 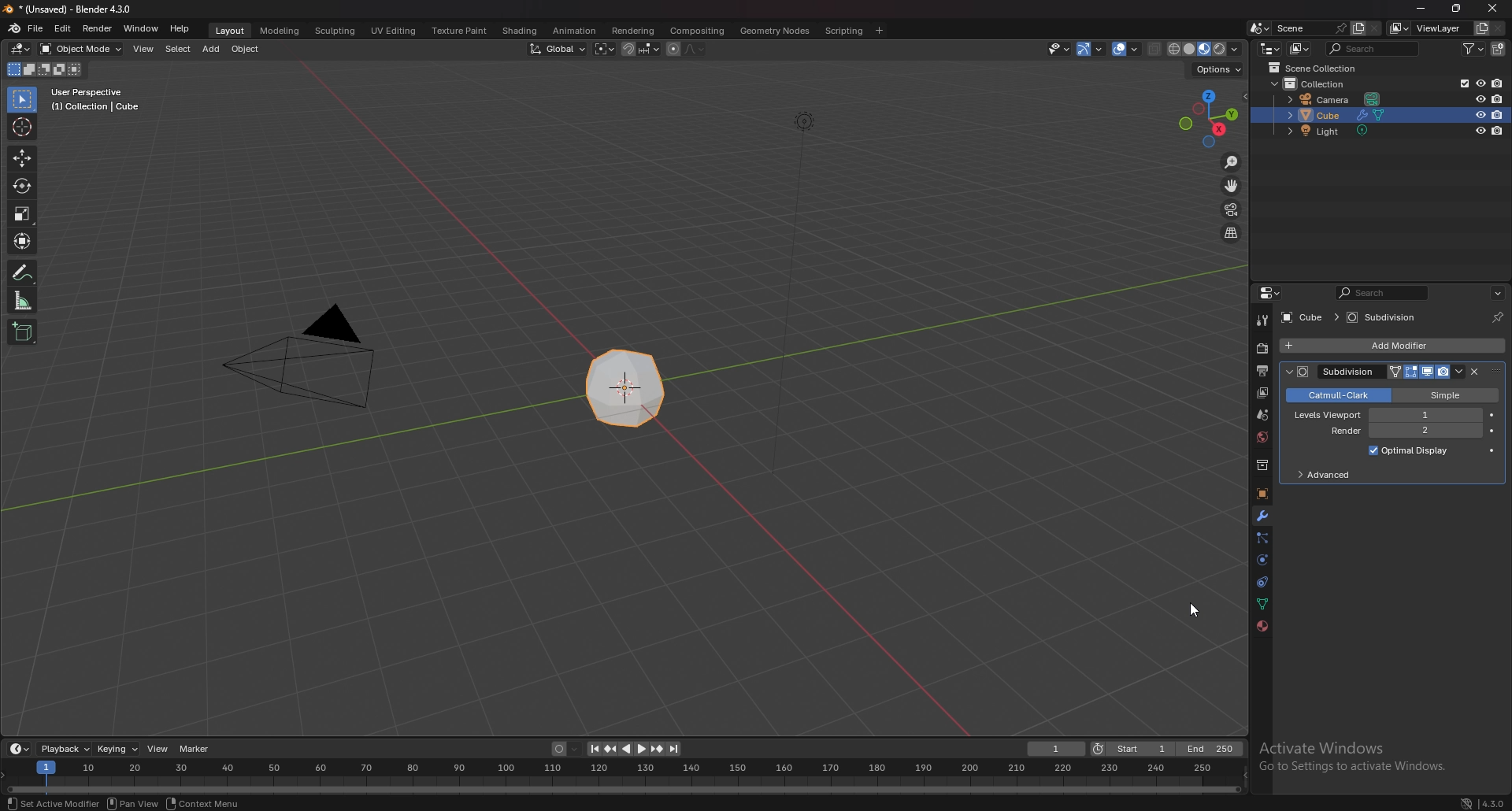 I want to click on context menu, so click(x=205, y=803).